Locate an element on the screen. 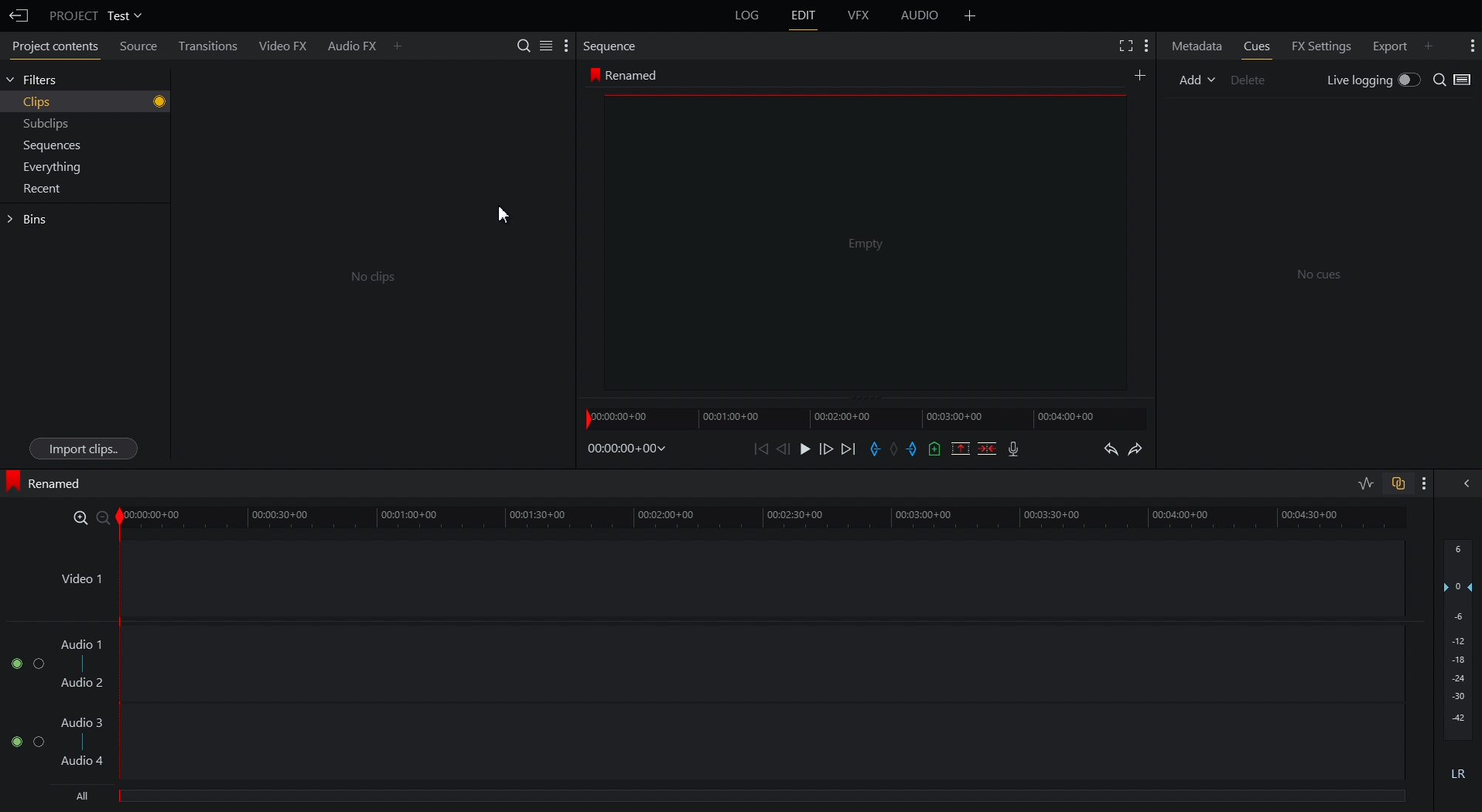 The height and width of the screenshot is (812, 1482). Show/hide audio mix is located at coordinates (1467, 483).